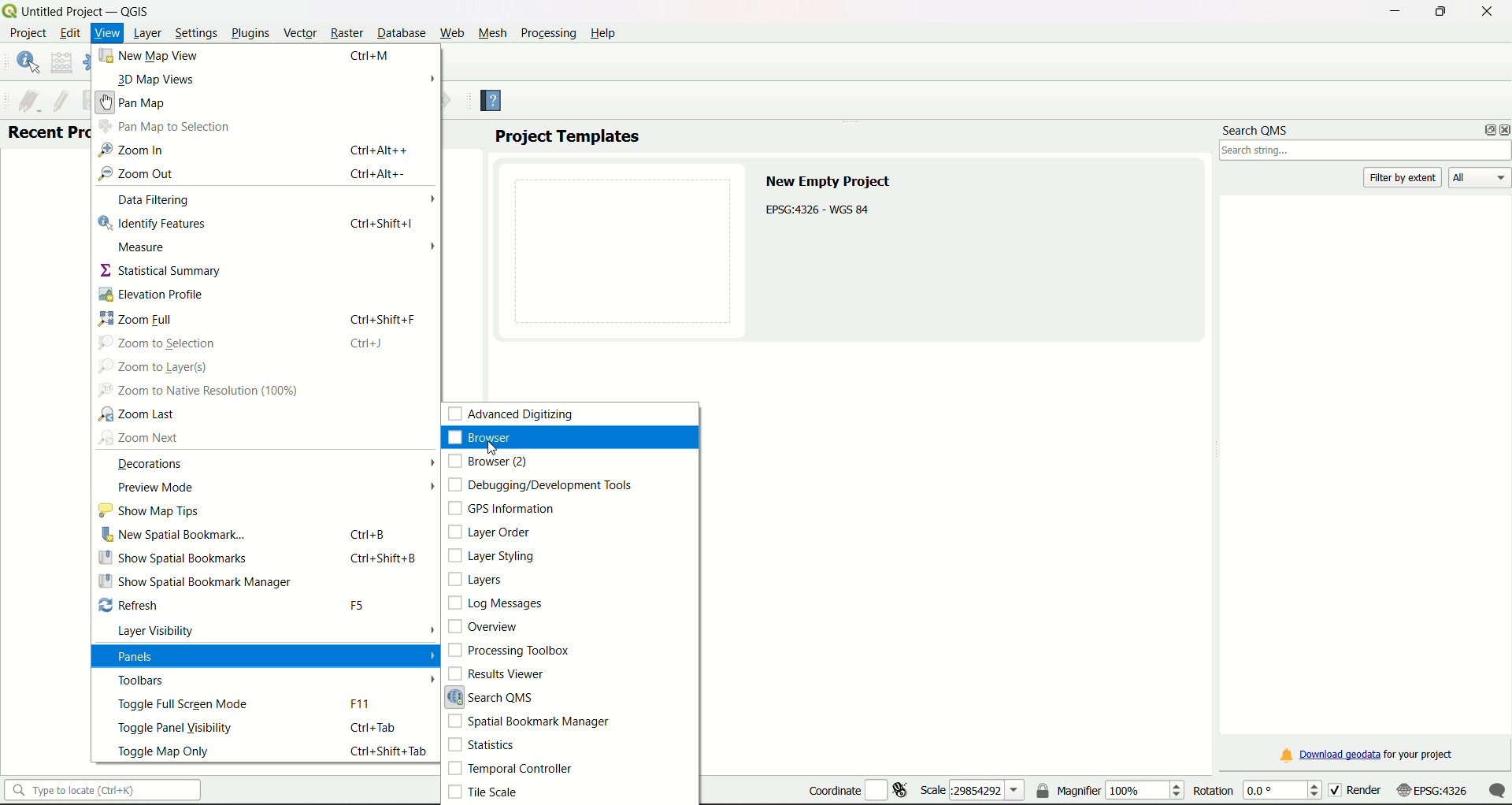 Image resolution: width=1512 pixels, height=805 pixels. Describe the element at coordinates (195, 391) in the screenshot. I see `zoom to native resolution` at that location.